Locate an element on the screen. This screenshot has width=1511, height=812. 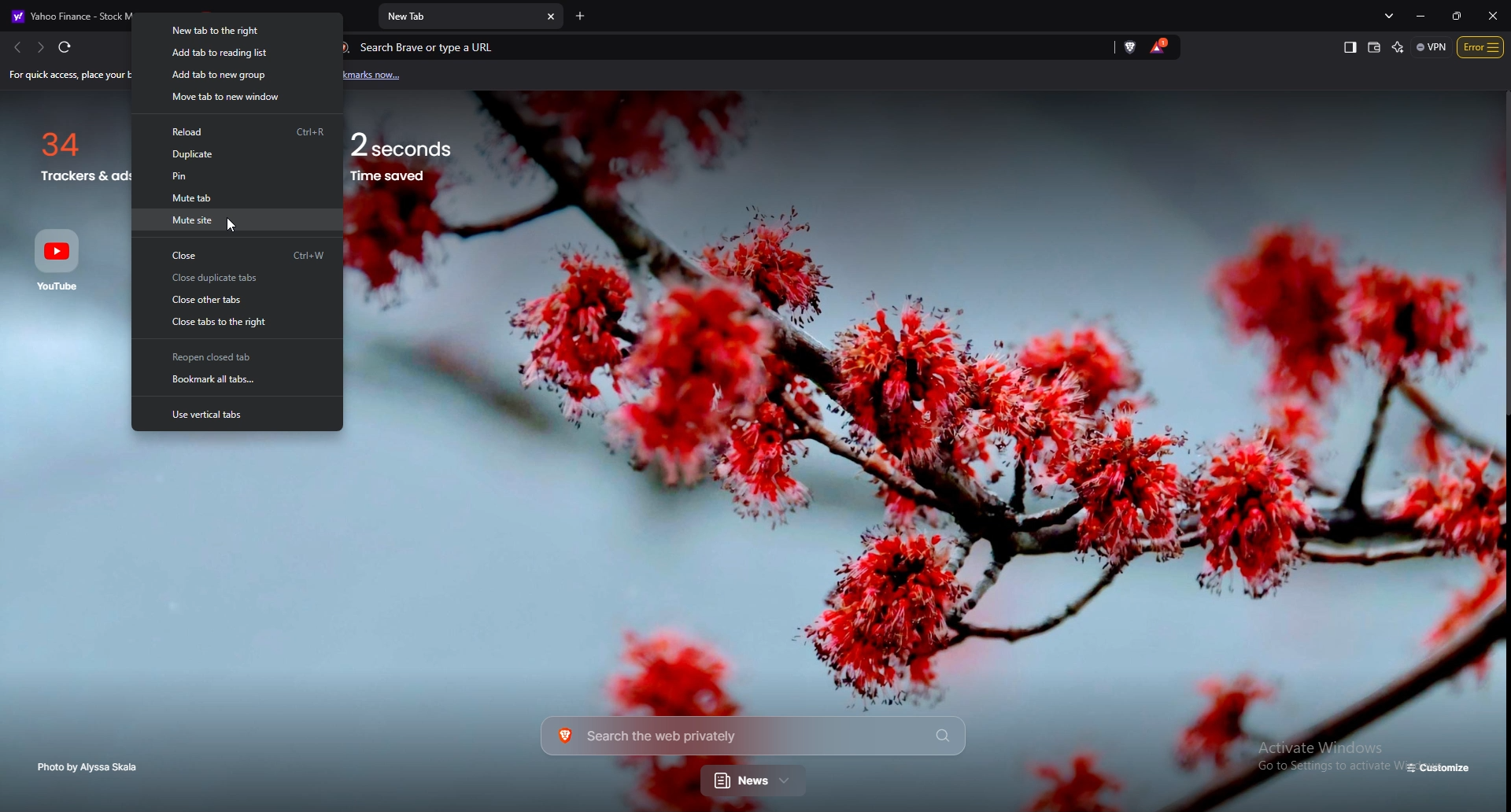
duplicate is located at coordinates (239, 153).